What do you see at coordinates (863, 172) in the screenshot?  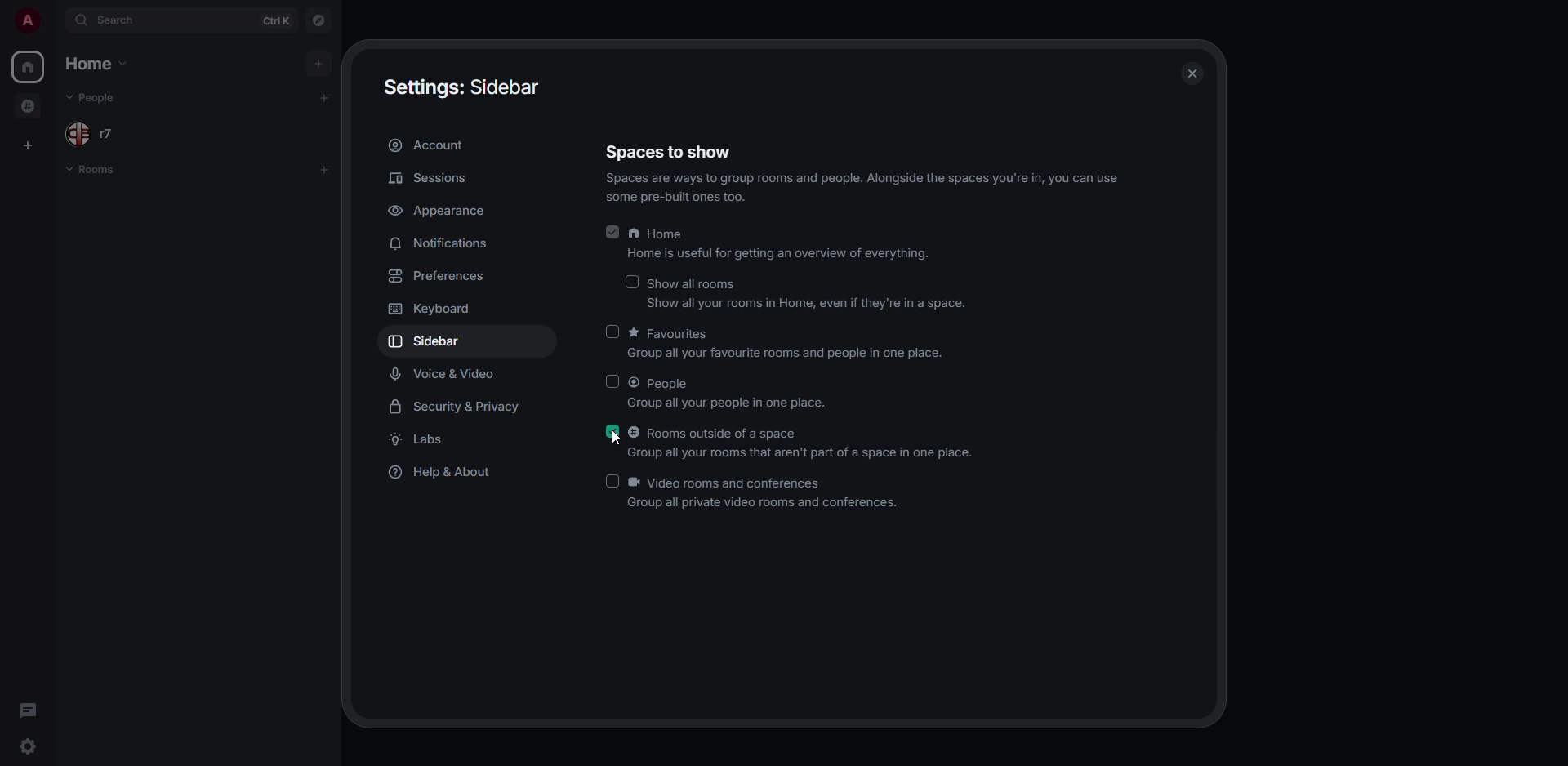 I see `spaces to show` at bounding box center [863, 172].